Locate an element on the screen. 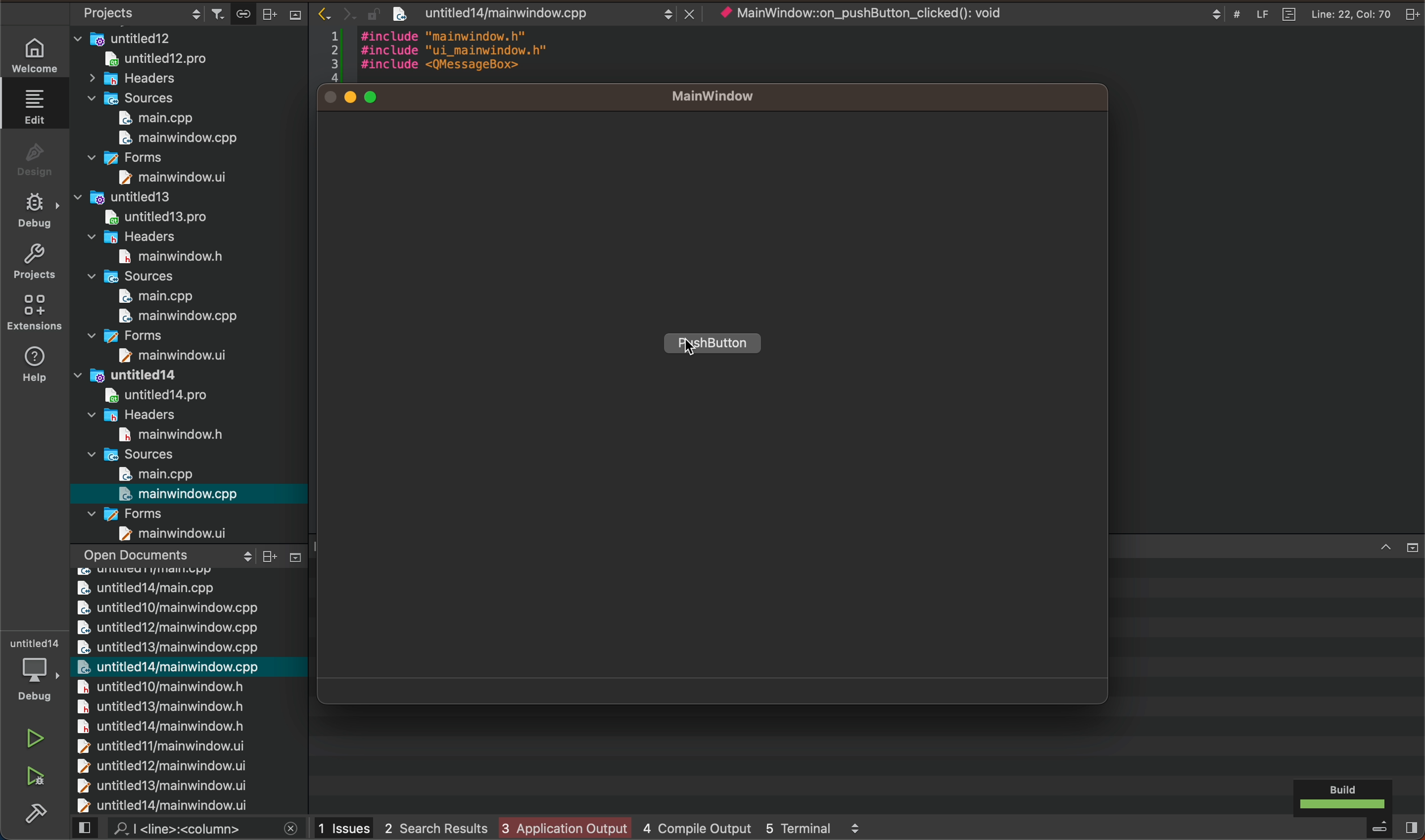 Image resolution: width=1425 pixels, height=840 pixels. sources is located at coordinates (139, 276).